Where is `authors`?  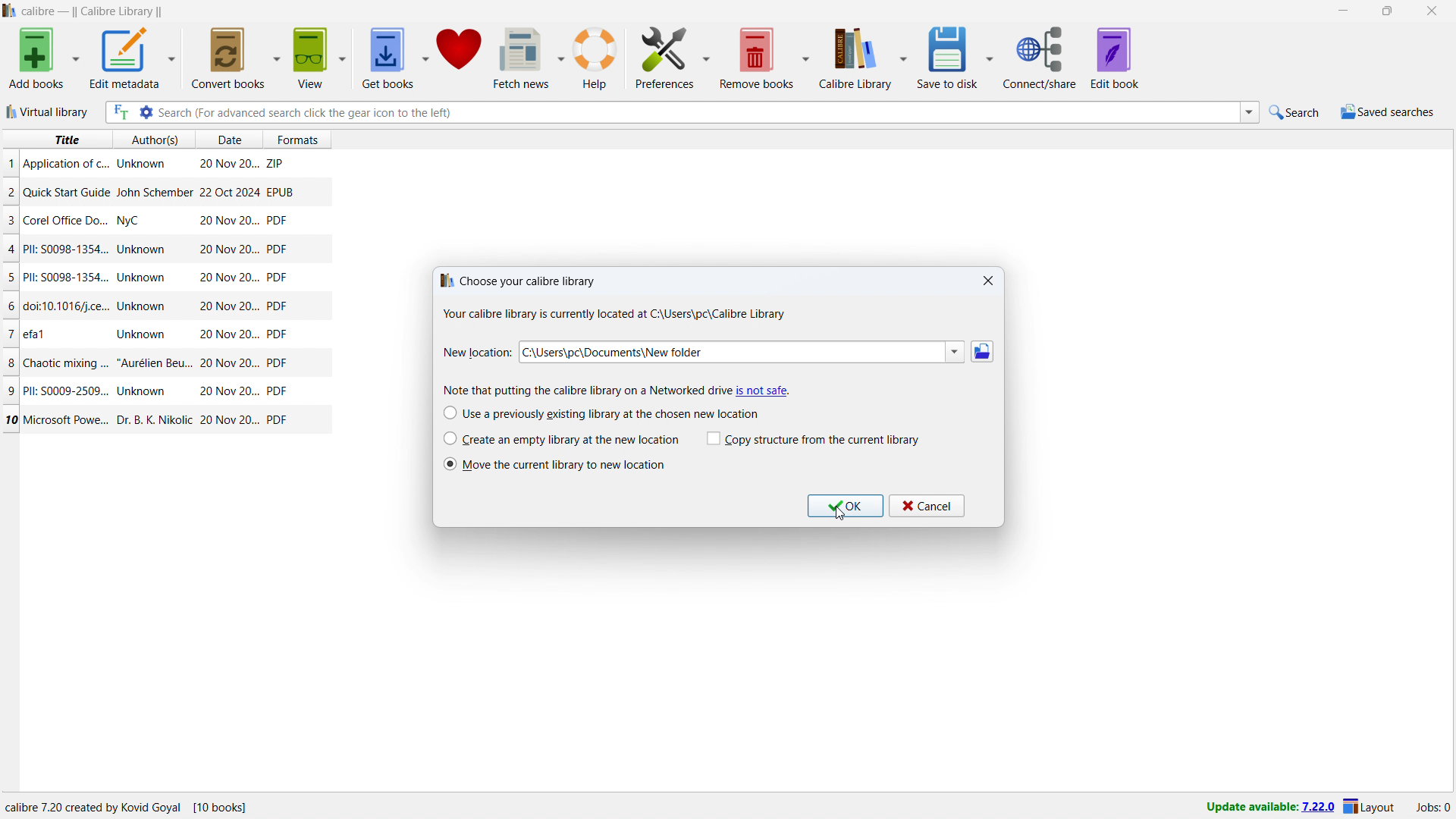
authors is located at coordinates (155, 140).